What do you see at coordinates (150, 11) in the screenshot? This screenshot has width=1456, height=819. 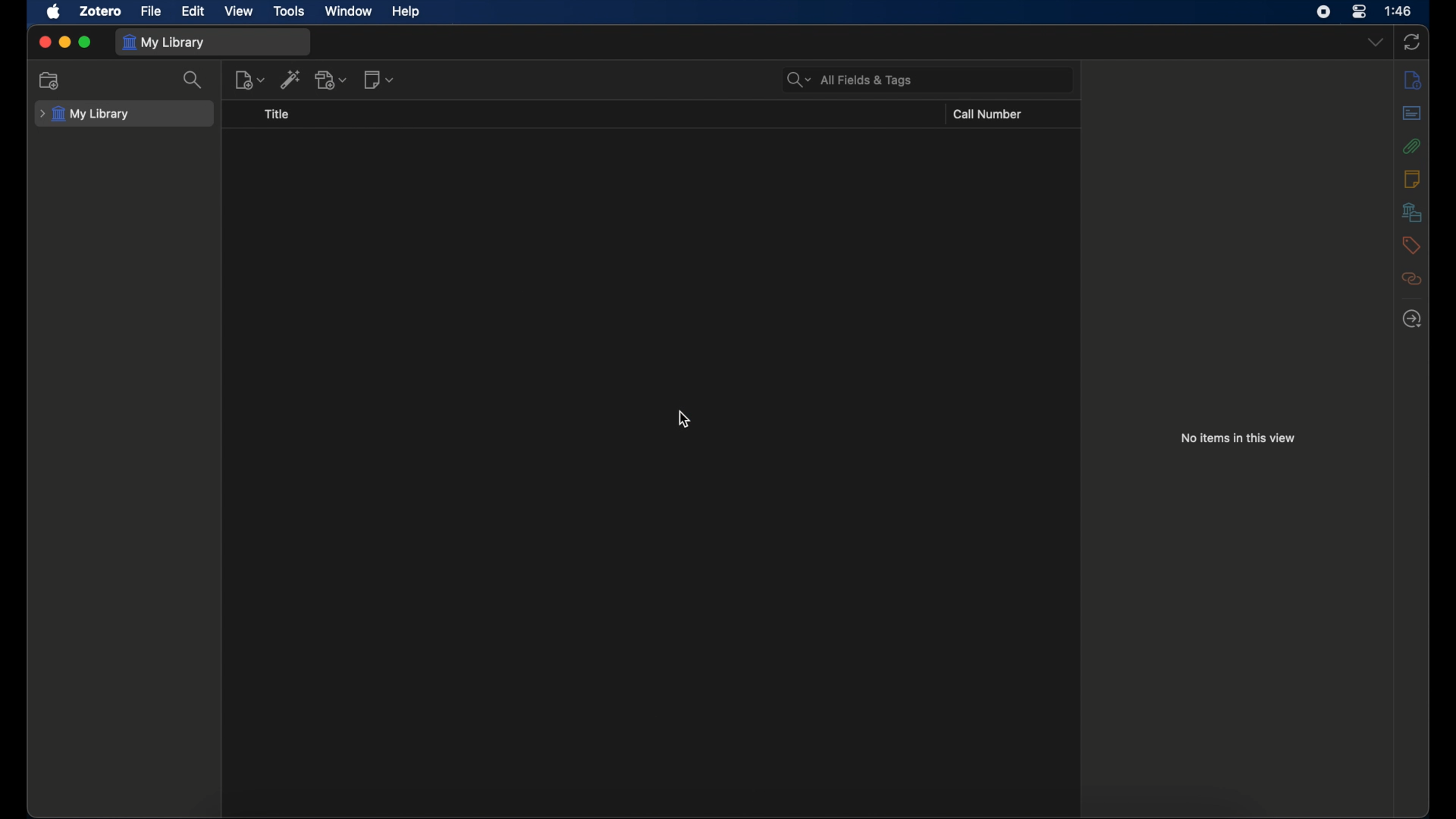 I see `file` at bounding box center [150, 11].